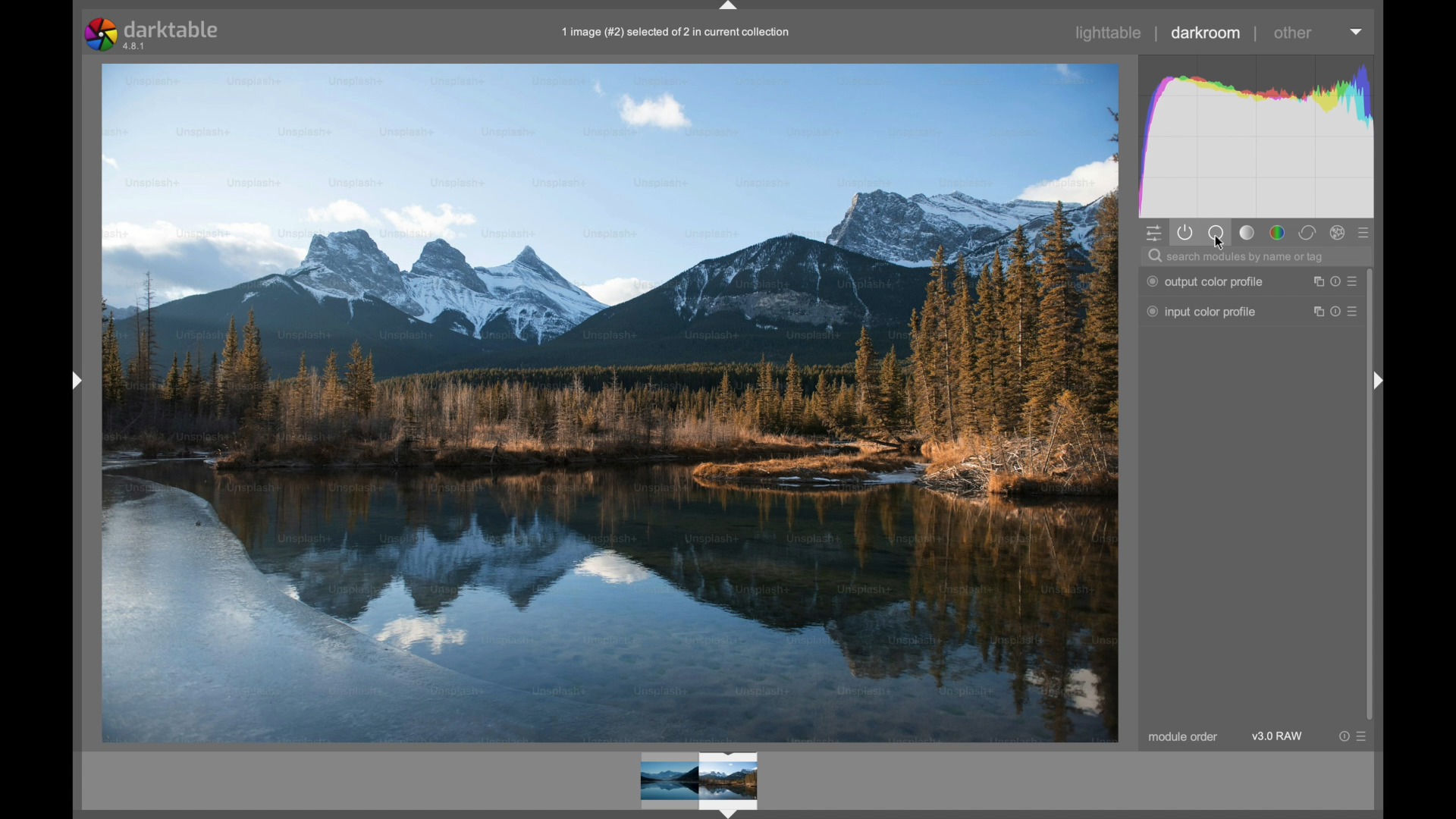  What do you see at coordinates (1216, 234) in the screenshot?
I see `base` at bounding box center [1216, 234].